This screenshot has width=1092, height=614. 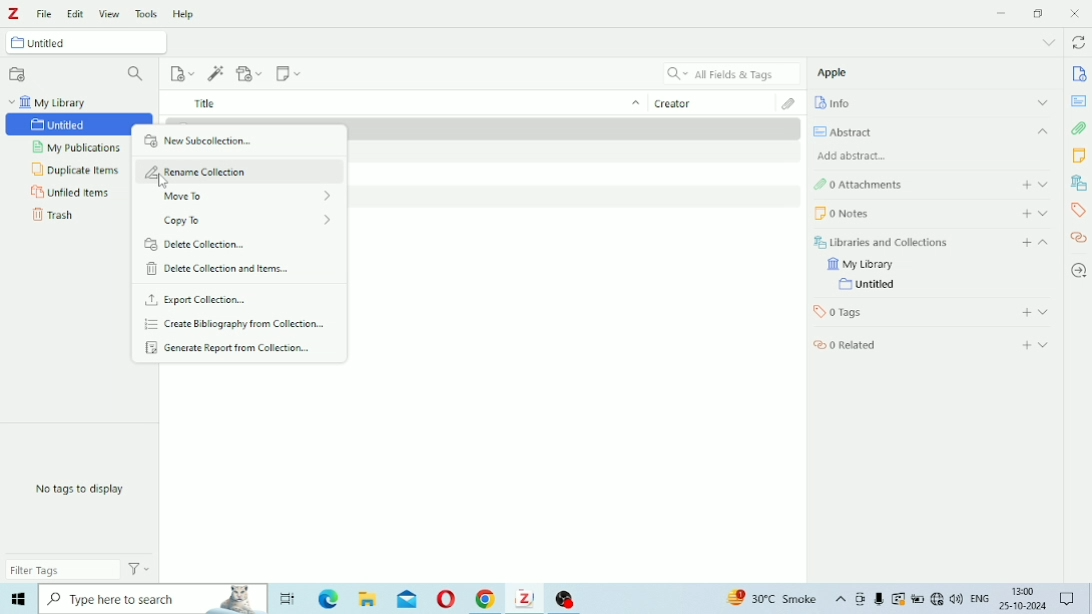 What do you see at coordinates (1043, 345) in the screenshot?
I see `Expand section` at bounding box center [1043, 345].